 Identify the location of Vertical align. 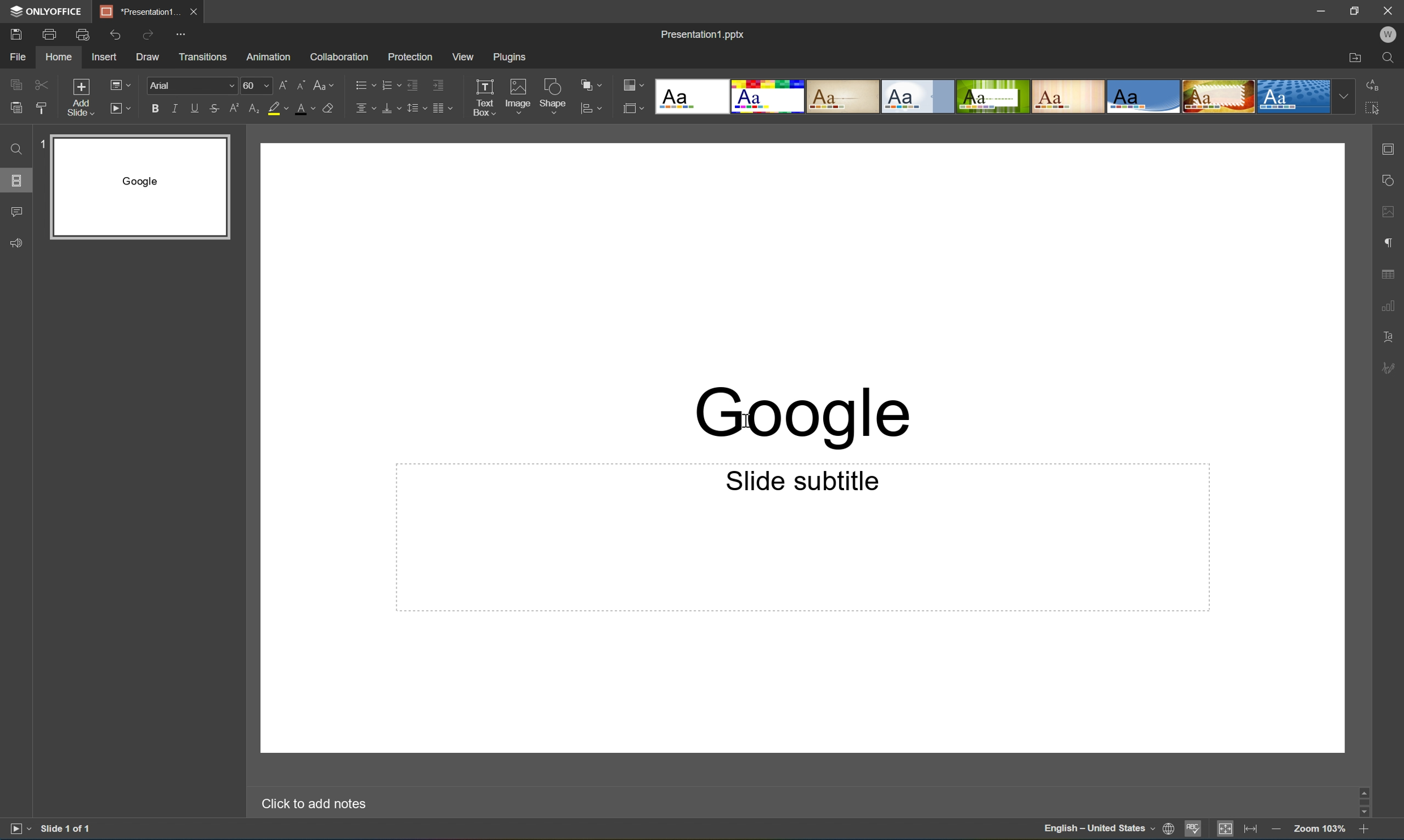
(392, 109).